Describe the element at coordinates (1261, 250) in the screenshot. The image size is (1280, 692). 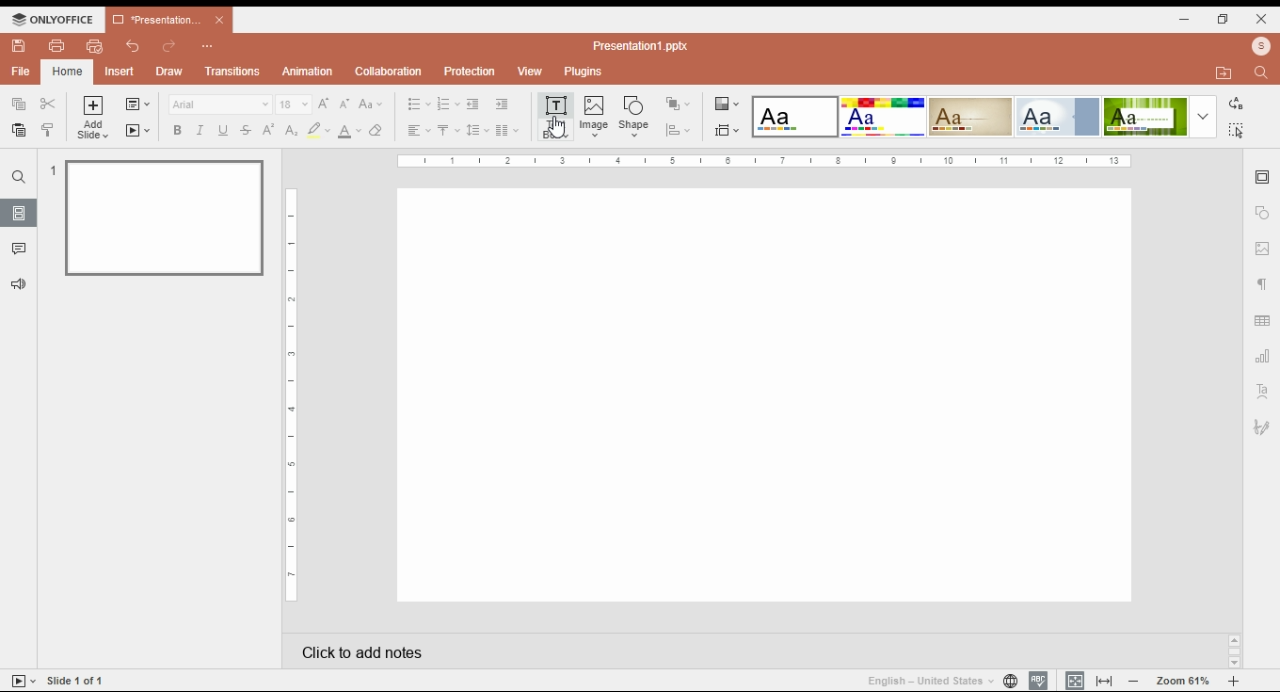
I see `image settings` at that location.